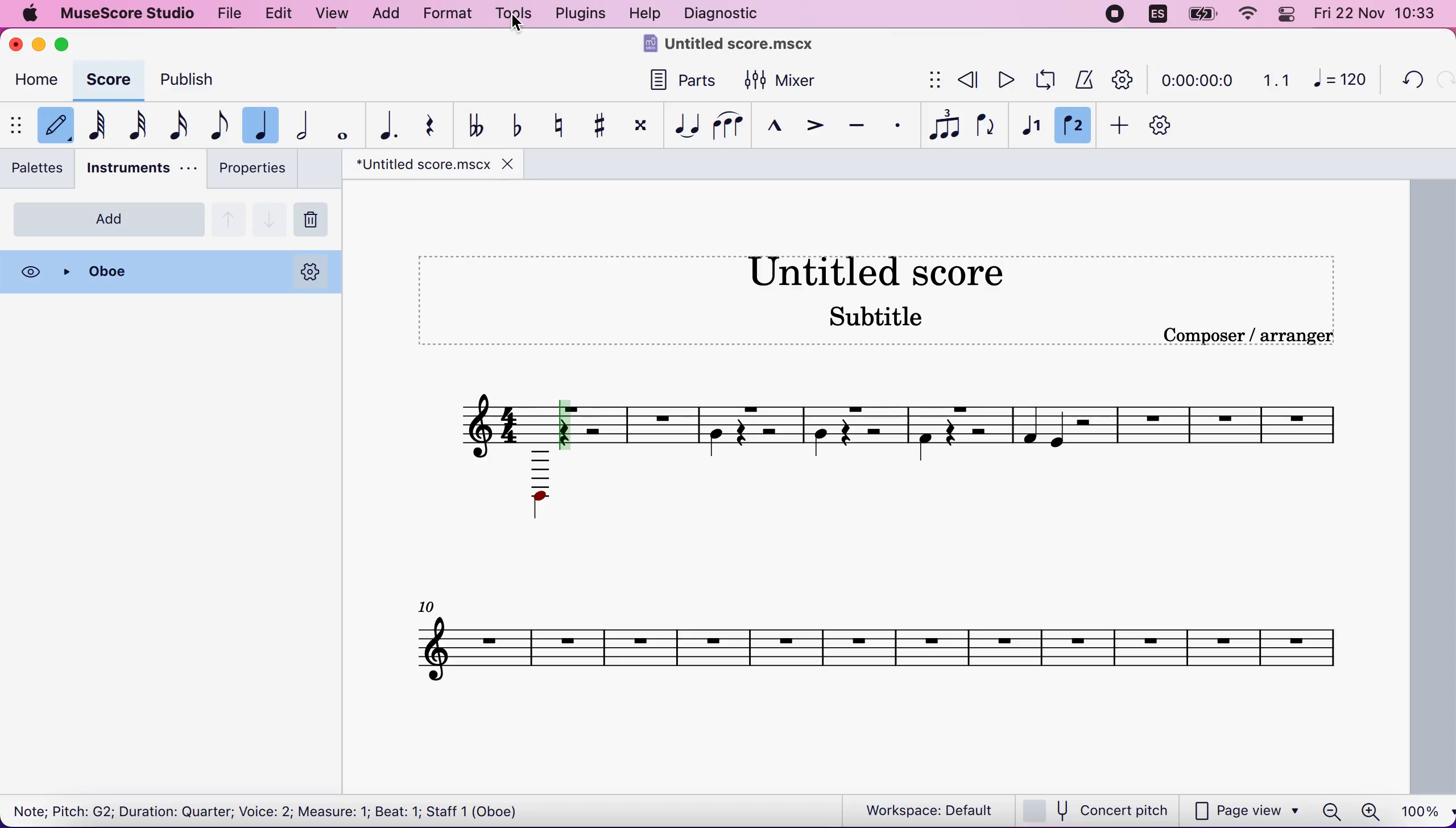 The height and width of the screenshot is (828, 1456). What do you see at coordinates (1166, 123) in the screenshot?
I see `customization tool` at bounding box center [1166, 123].